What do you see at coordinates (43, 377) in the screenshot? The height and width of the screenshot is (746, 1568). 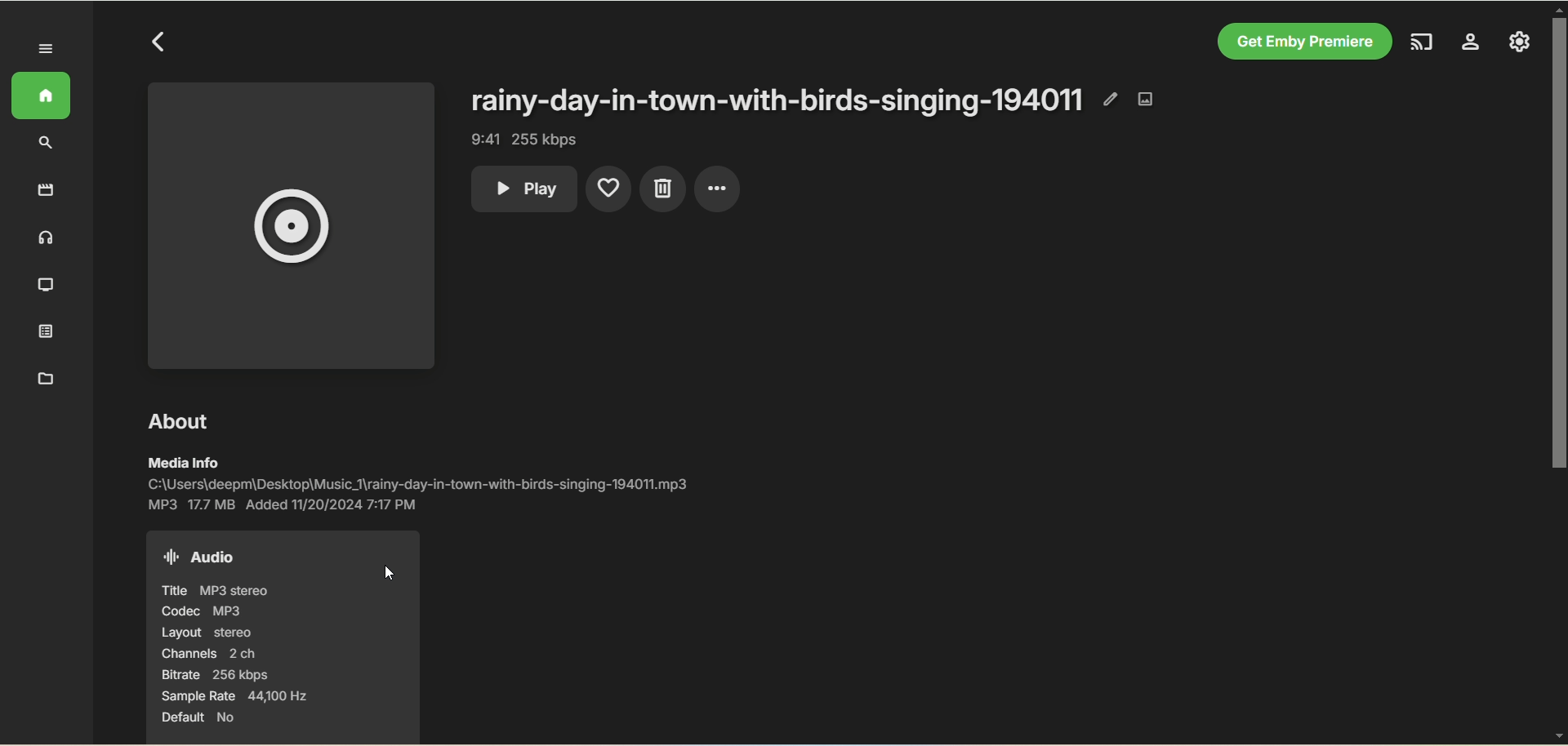 I see `metadata manager` at bounding box center [43, 377].